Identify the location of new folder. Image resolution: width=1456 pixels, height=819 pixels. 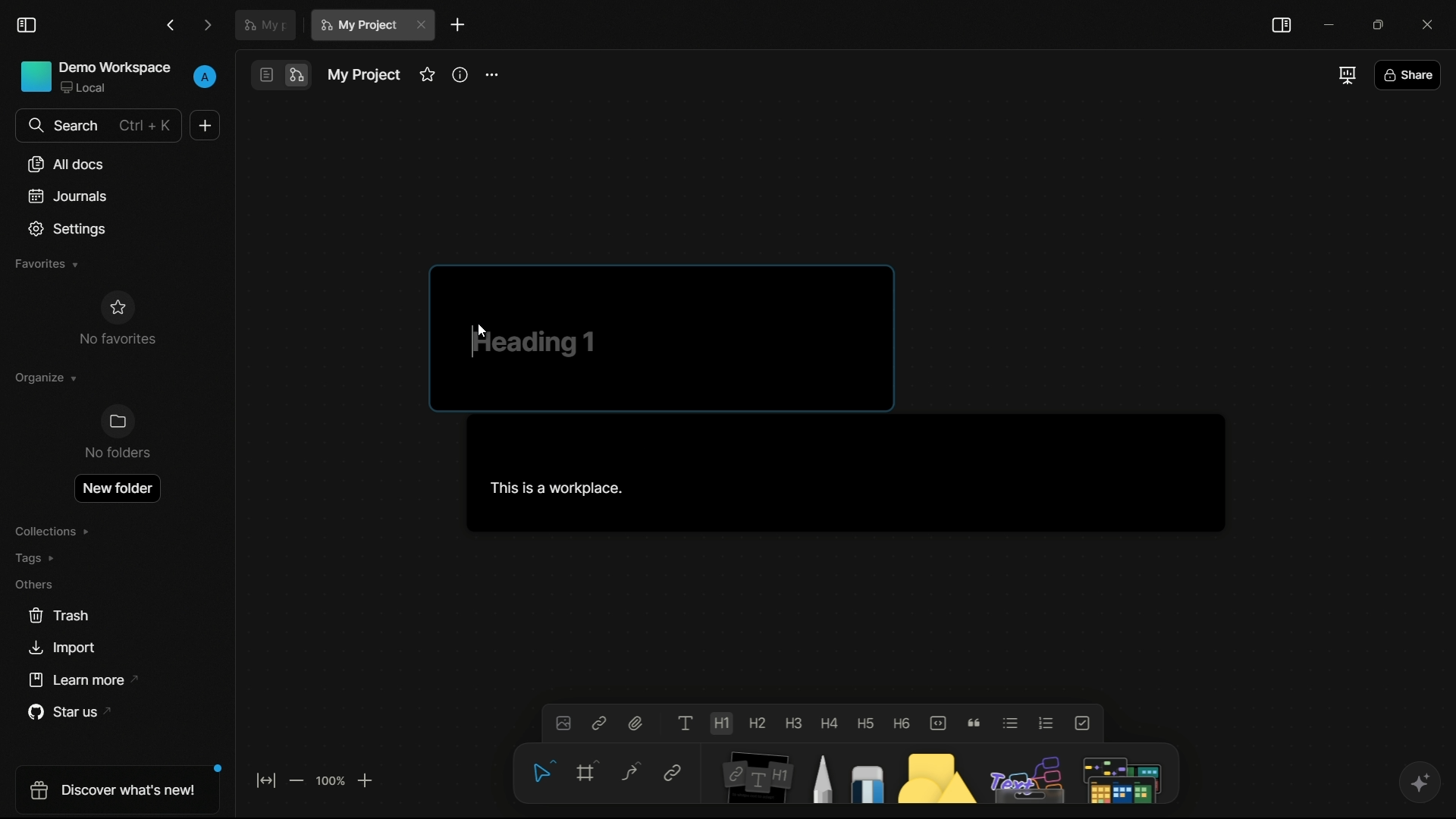
(117, 488).